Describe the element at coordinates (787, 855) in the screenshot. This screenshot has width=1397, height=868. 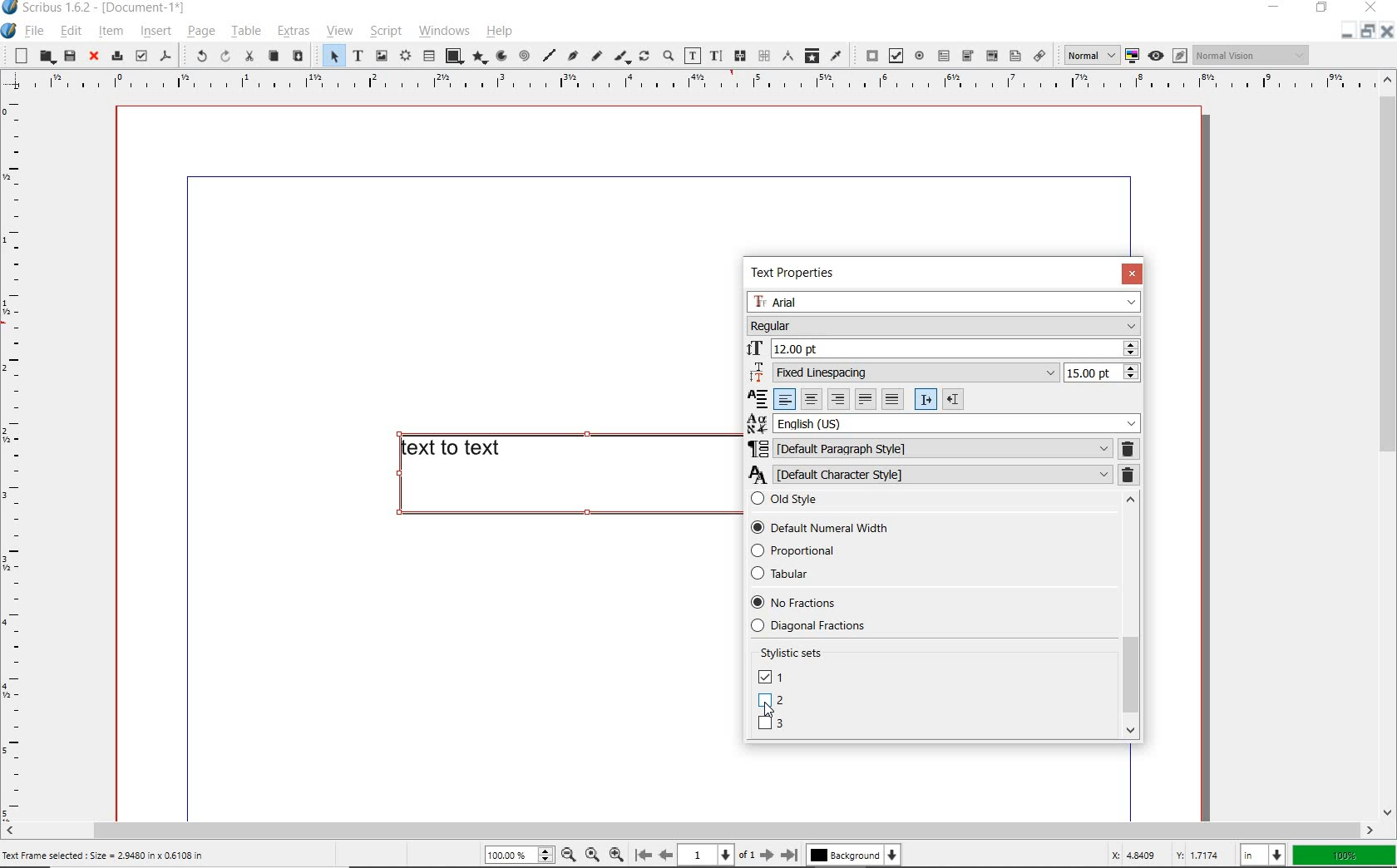
I see `Last page` at that location.